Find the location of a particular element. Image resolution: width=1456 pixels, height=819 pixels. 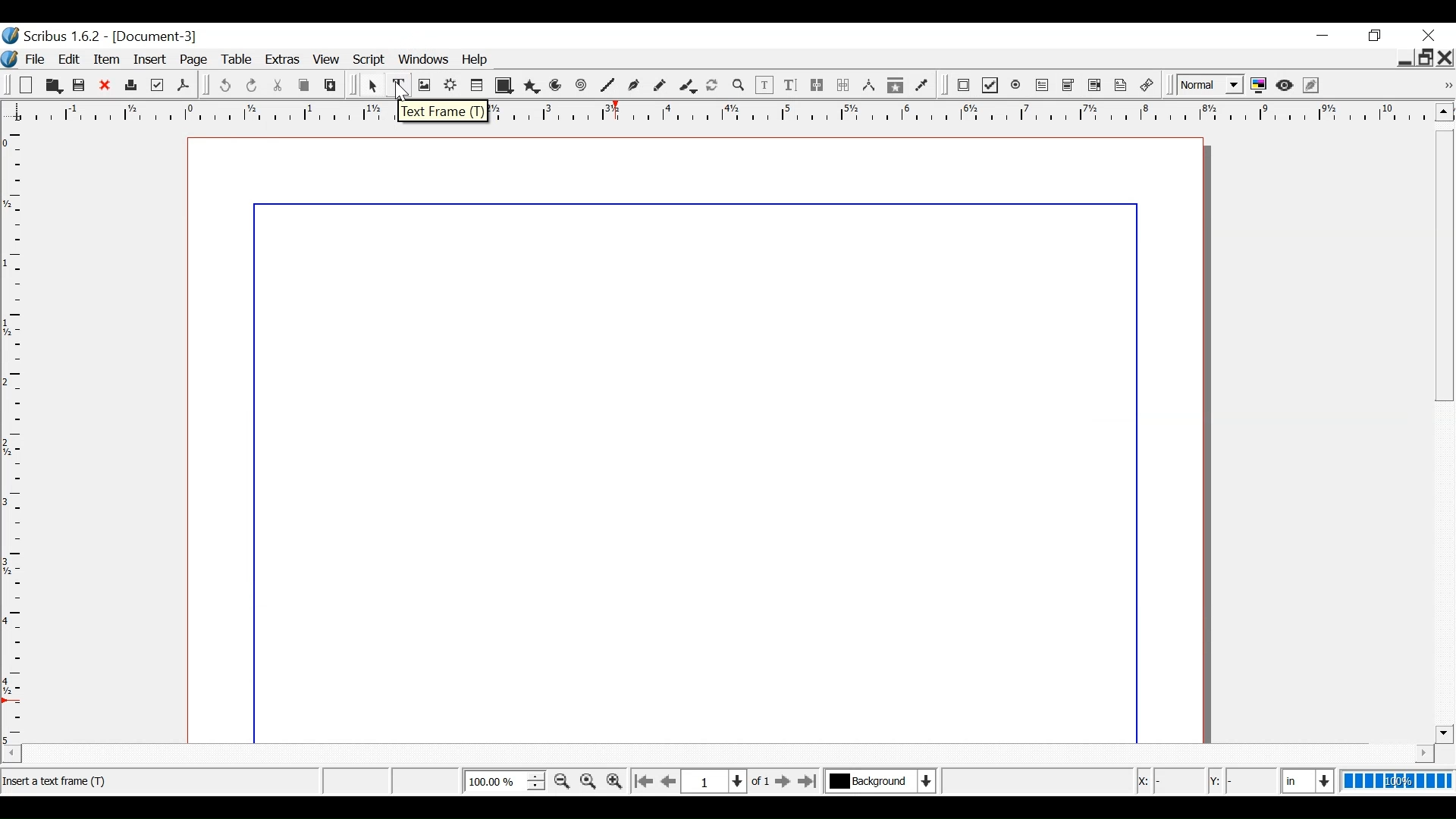

Rotate is located at coordinates (713, 86).